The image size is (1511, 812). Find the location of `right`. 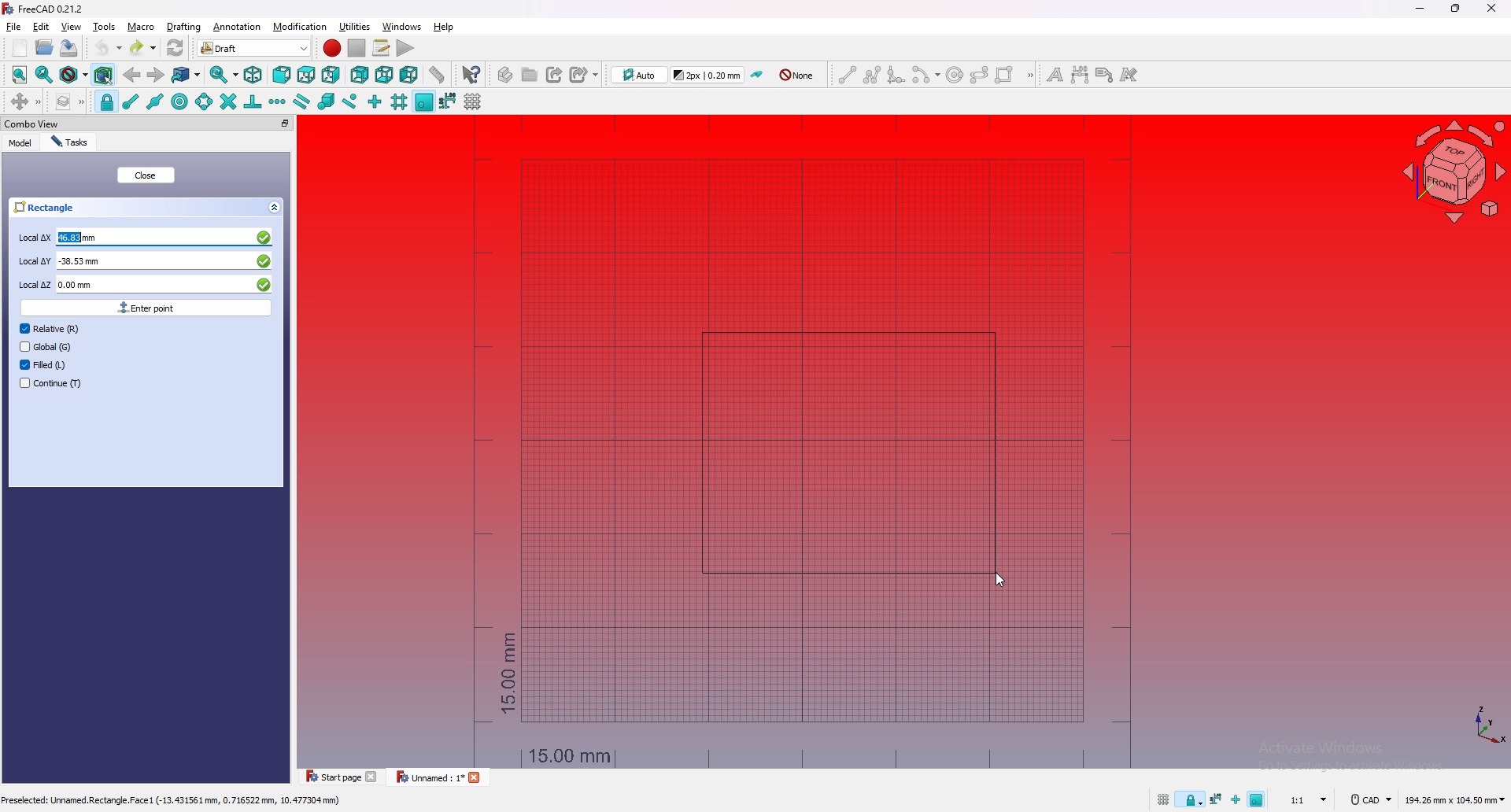

right is located at coordinates (331, 76).